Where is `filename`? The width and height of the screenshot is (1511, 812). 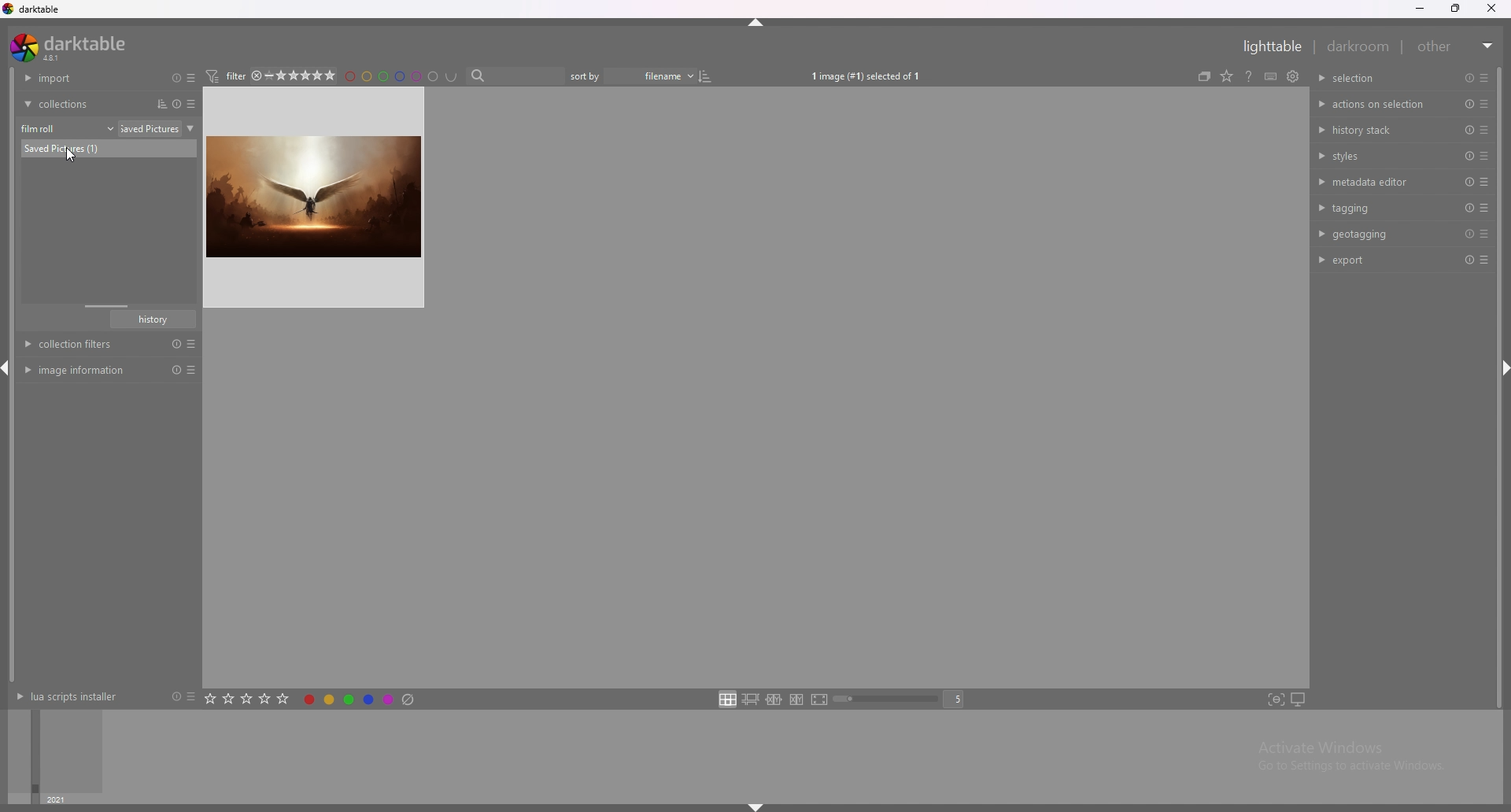
filename is located at coordinates (657, 76).